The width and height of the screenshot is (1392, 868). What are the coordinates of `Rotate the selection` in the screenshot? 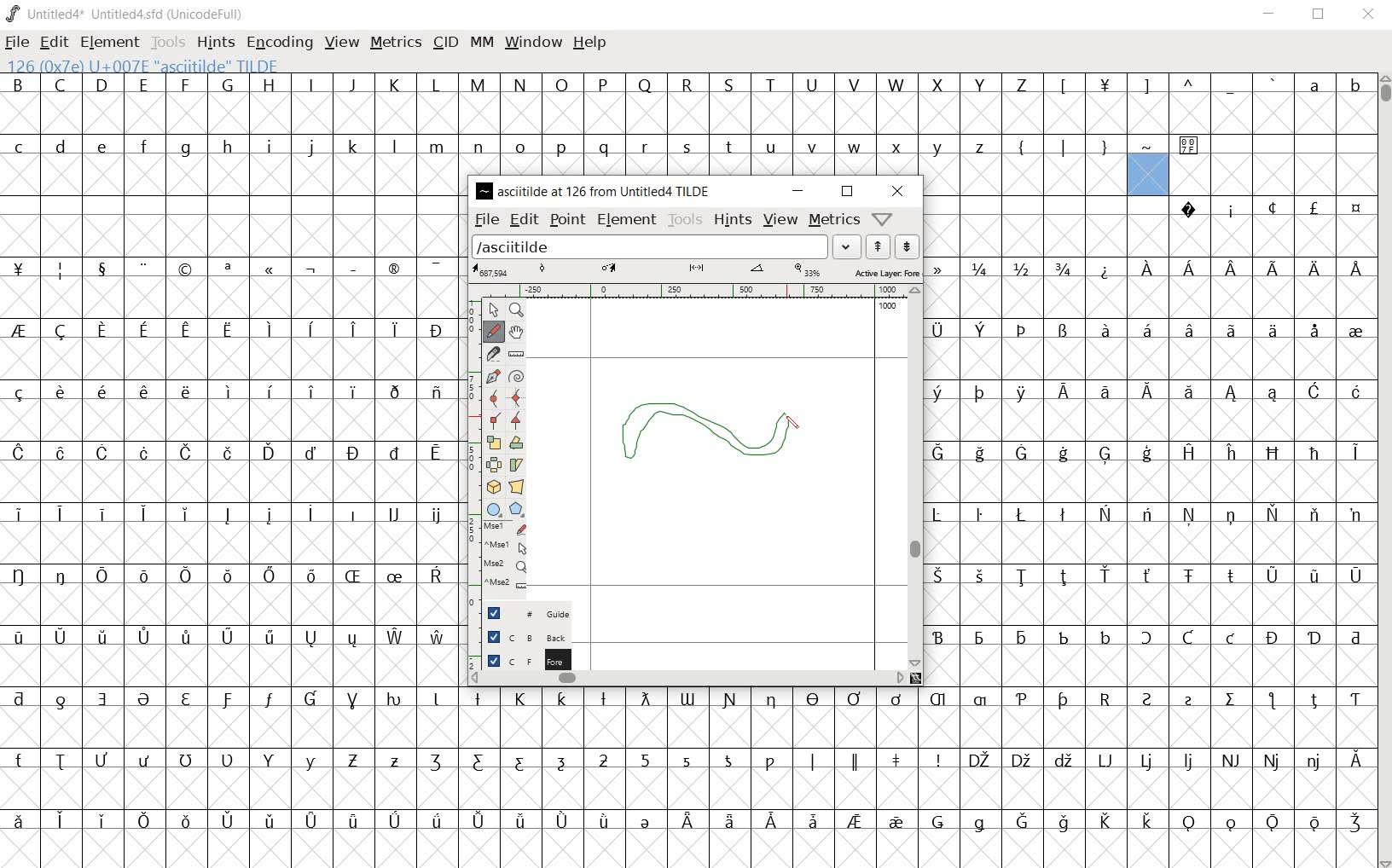 It's located at (515, 445).